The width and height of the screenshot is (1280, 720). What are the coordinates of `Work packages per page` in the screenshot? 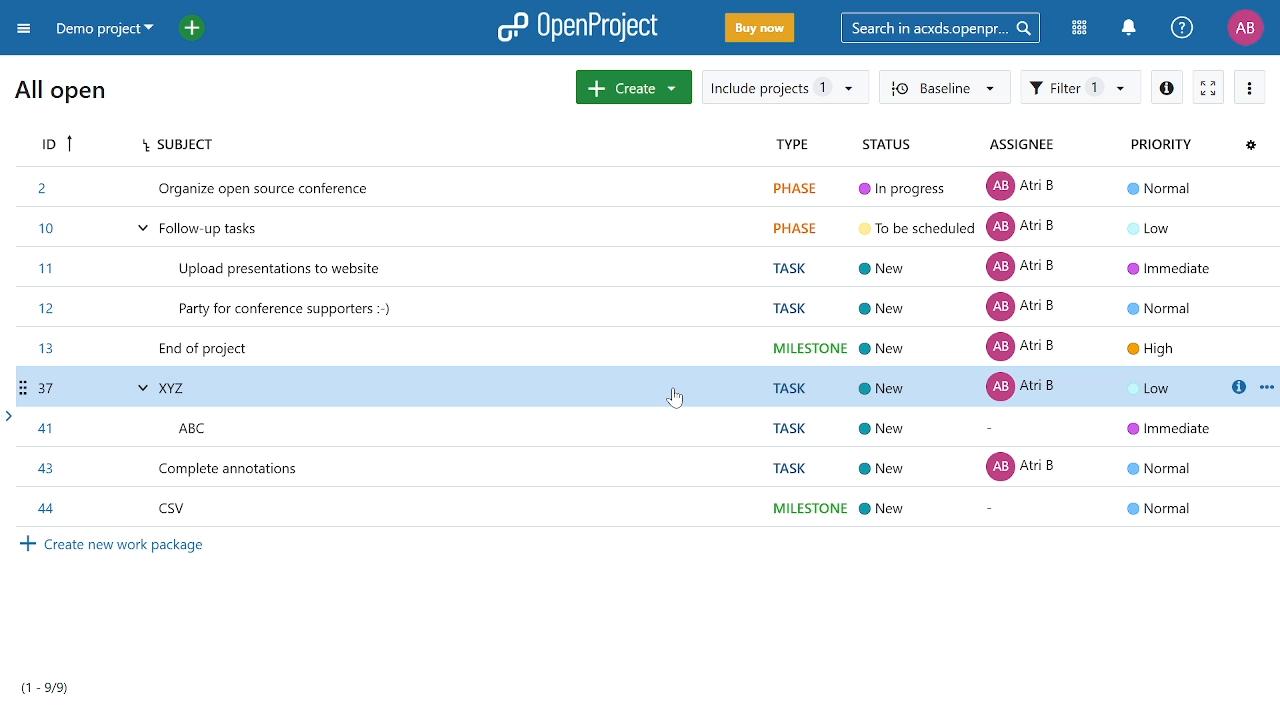 It's located at (46, 690).